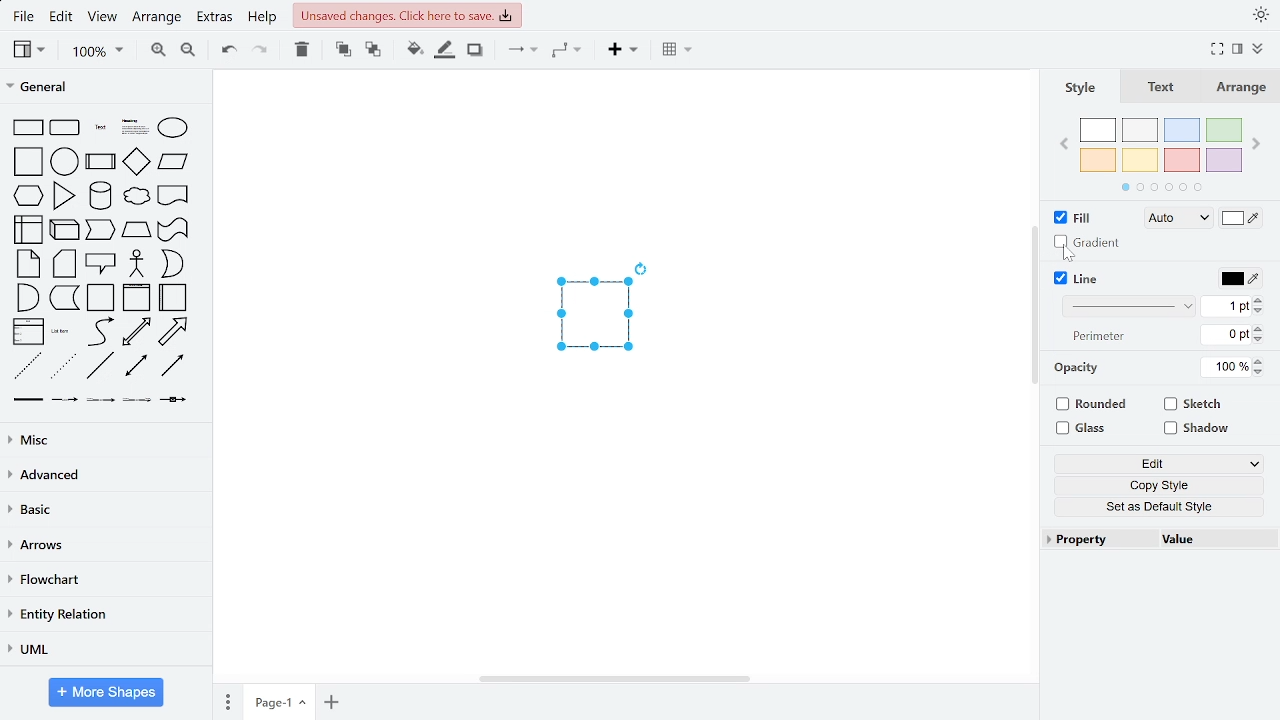 Image resolution: width=1280 pixels, height=720 pixels. What do you see at coordinates (133, 230) in the screenshot?
I see `general shapes` at bounding box center [133, 230].